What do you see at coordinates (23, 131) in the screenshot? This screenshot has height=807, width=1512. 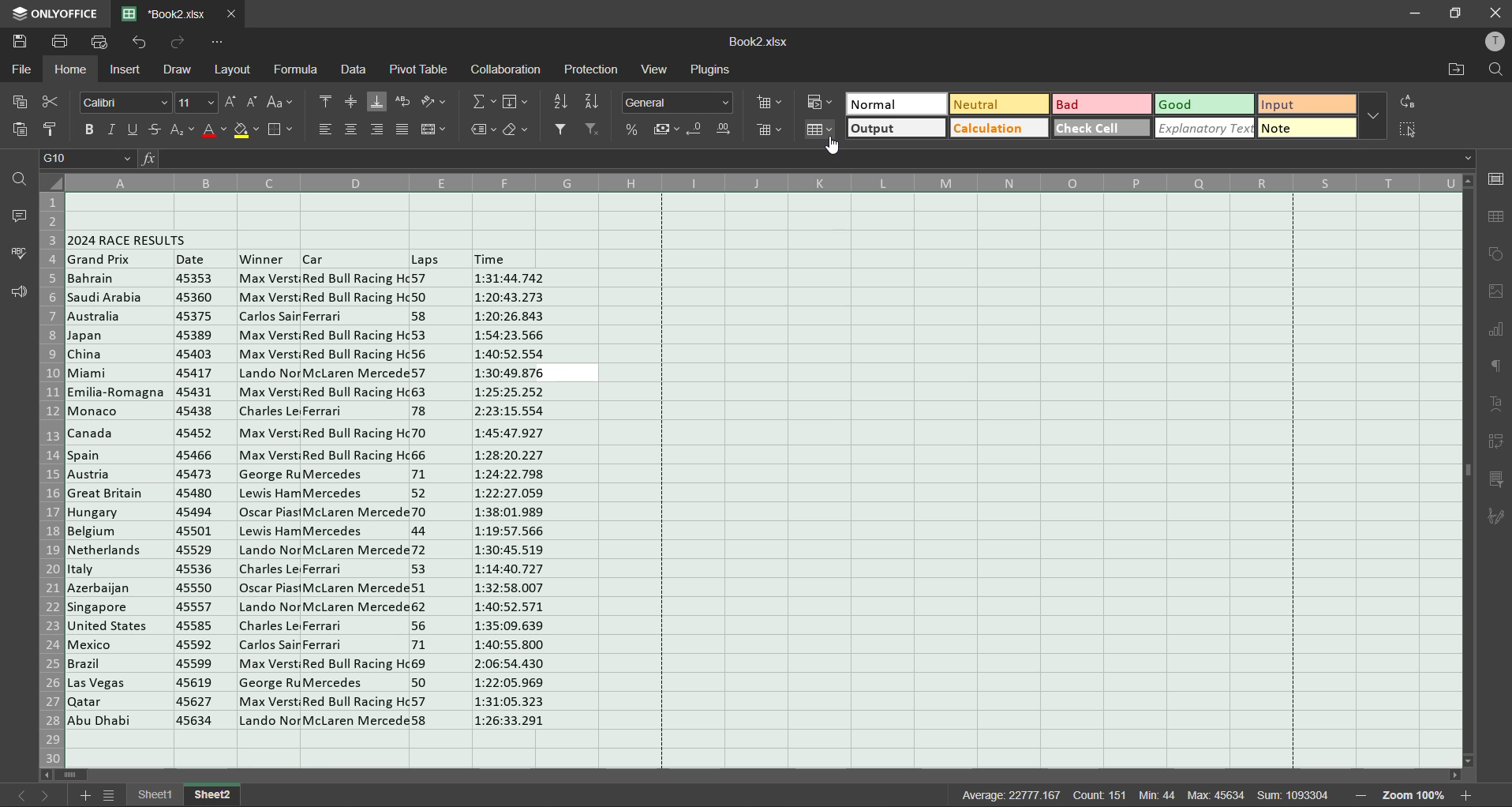 I see `paste` at bounding box center [23, 131].